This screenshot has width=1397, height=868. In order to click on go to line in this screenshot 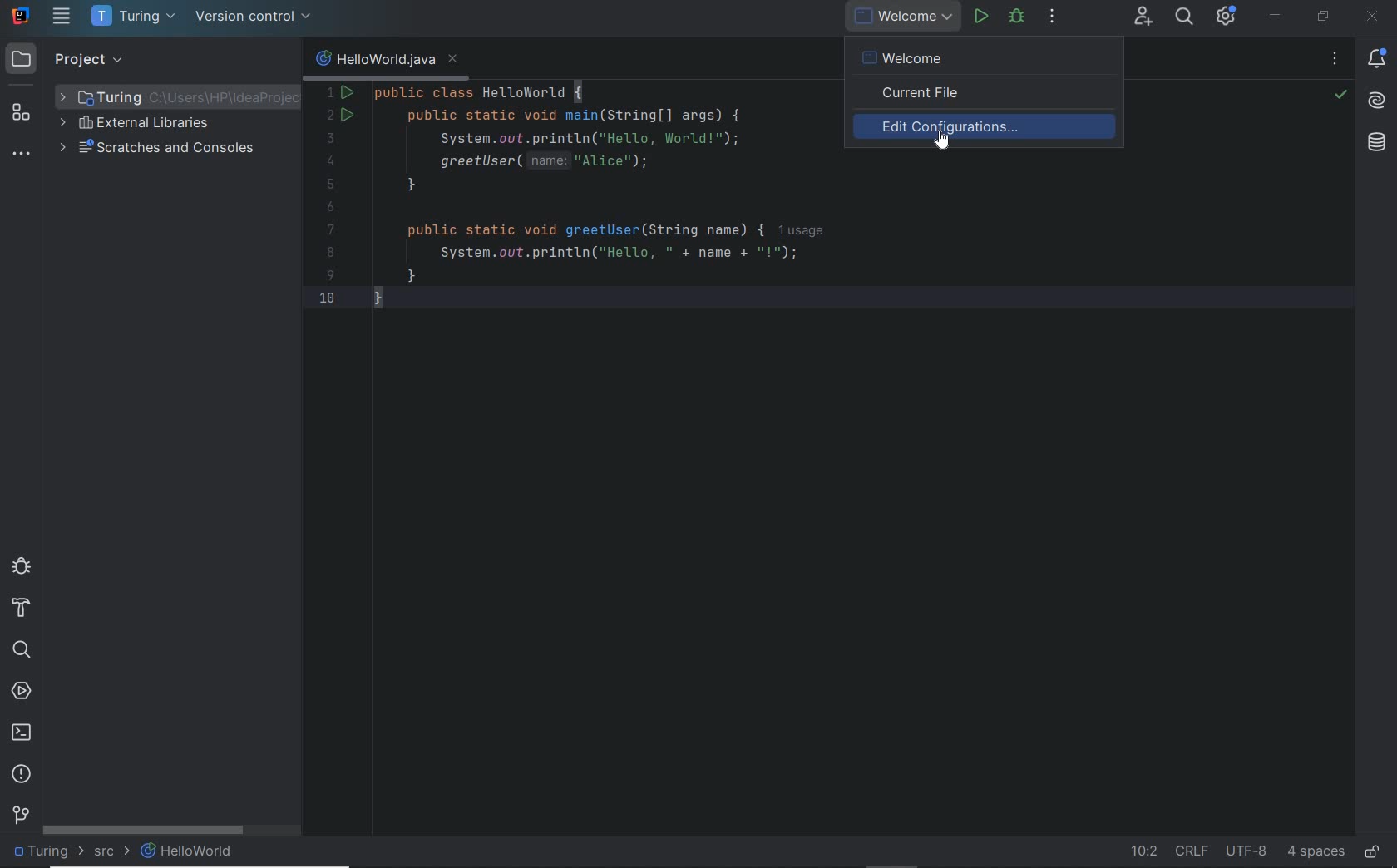, I will do `click(1143, 853)`.